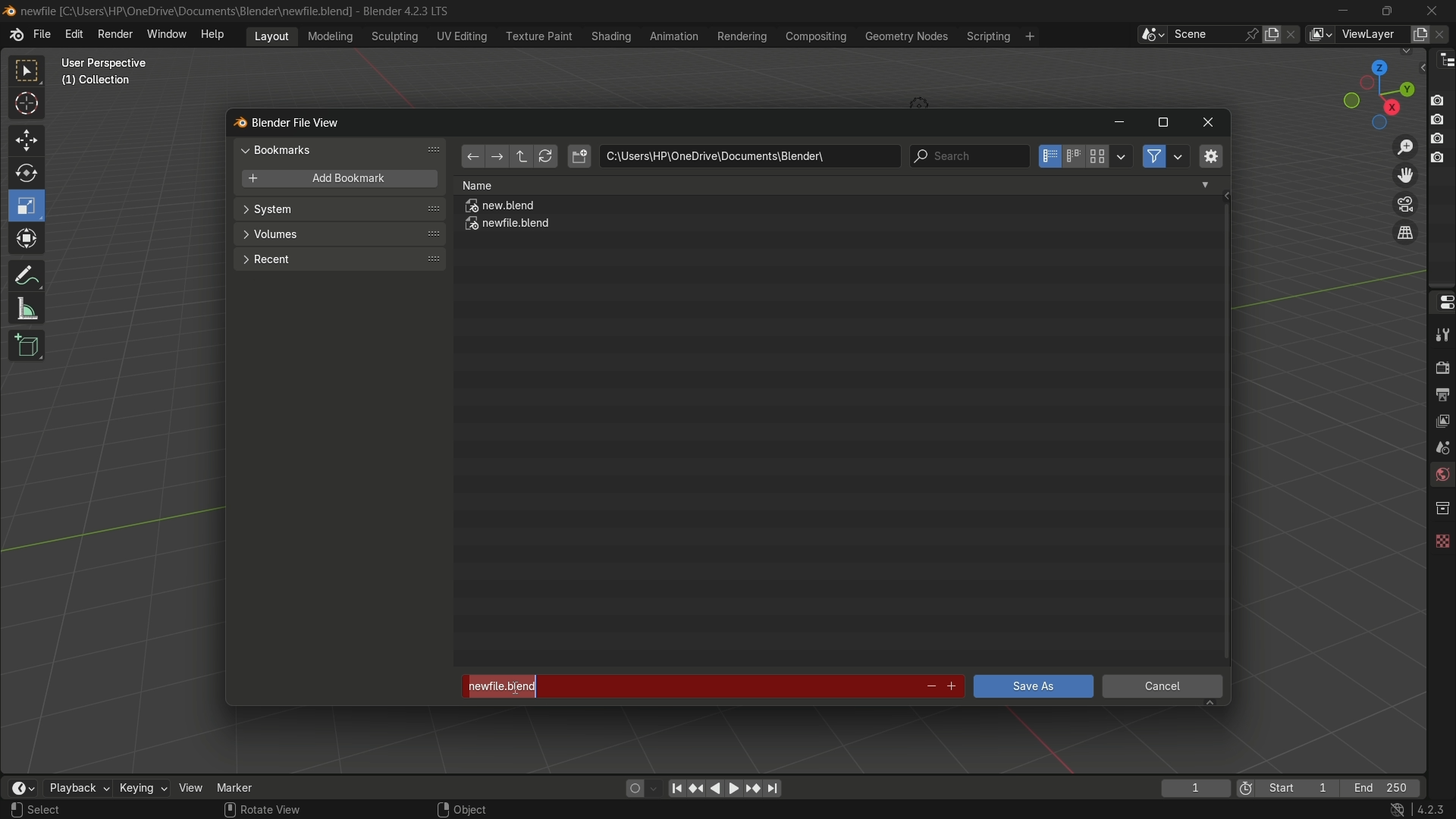  What do you see at coordinates (753, 787) in the screenshot?
I see `jump to keyframe` at bounding box center [753, 787].